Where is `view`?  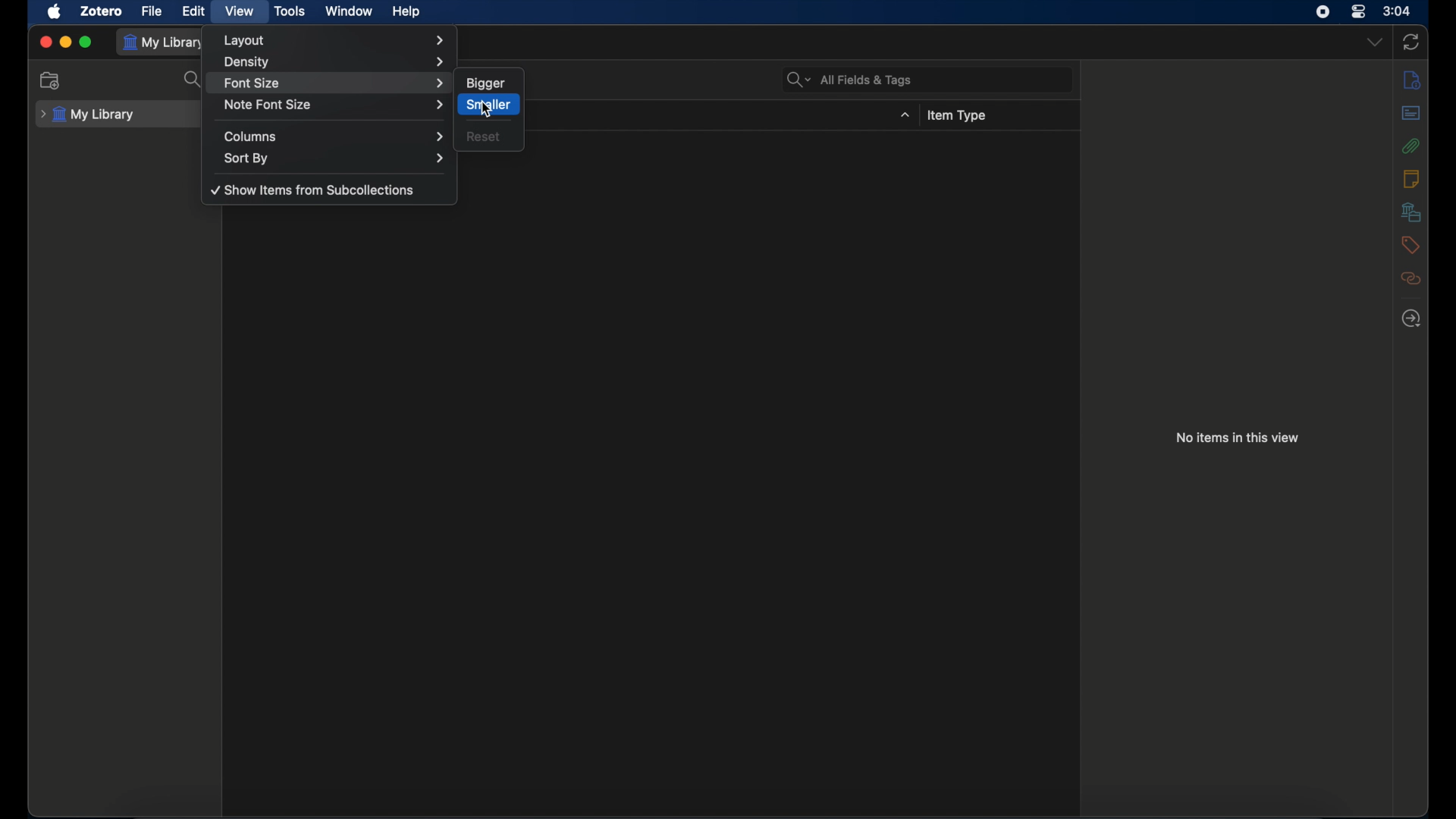 view is located at coordinates (241, 11).